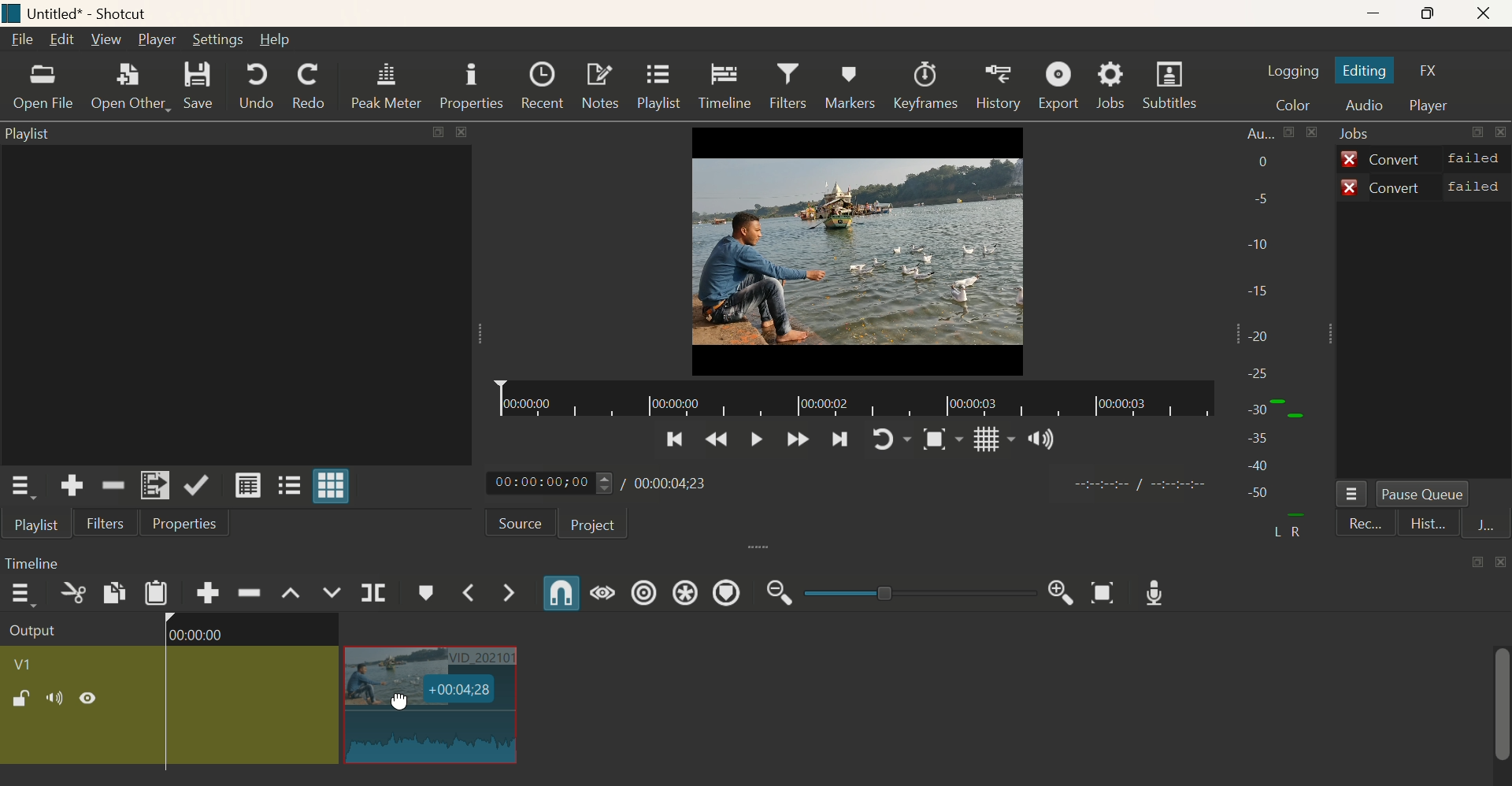  I want to click on Convert, so click(1423, 158).